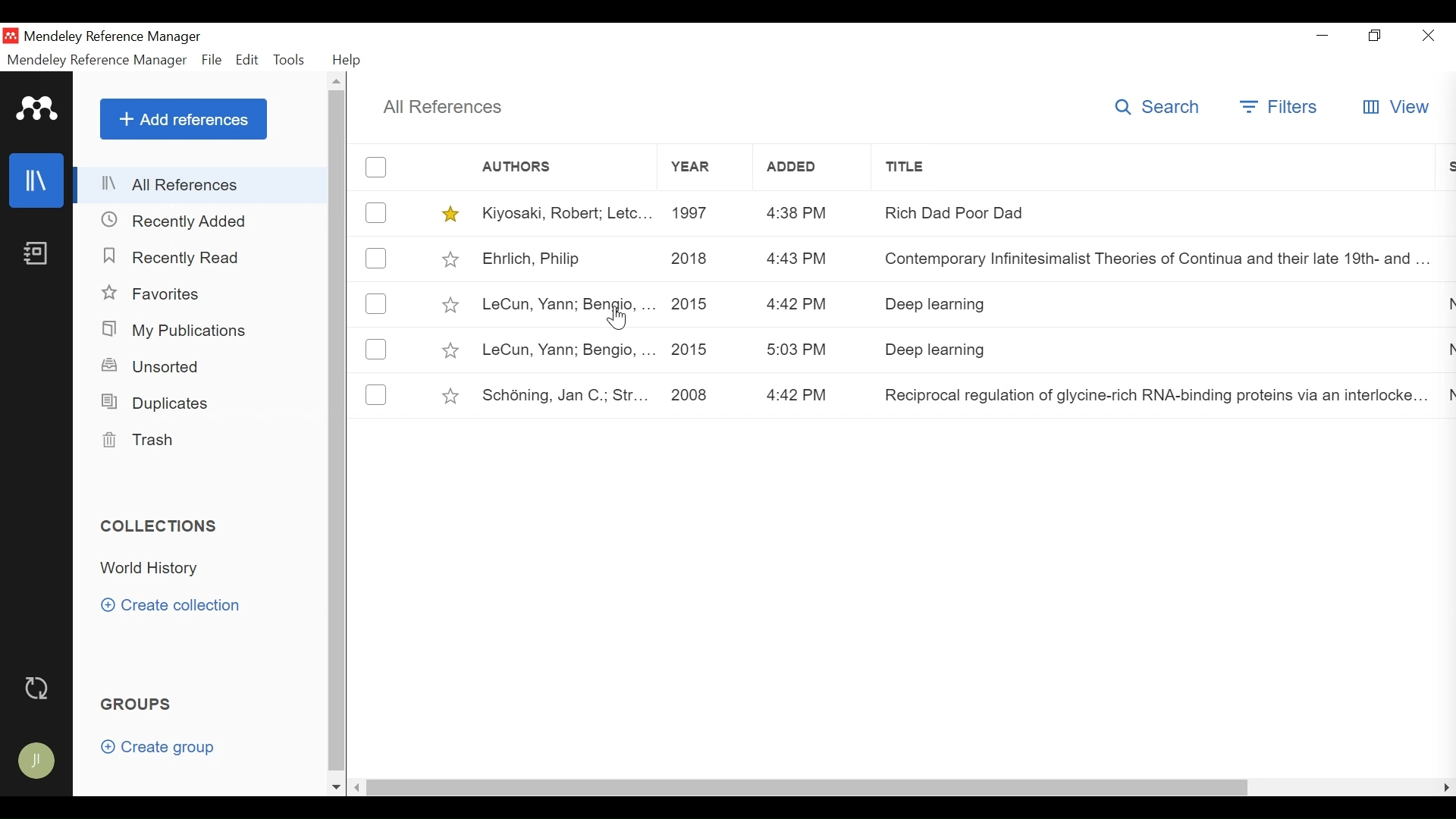 This screenshot has width=1456, height=819. Describe the element at coordinates (181, 220) in the screenshot. I see `Recently Added` at that location.